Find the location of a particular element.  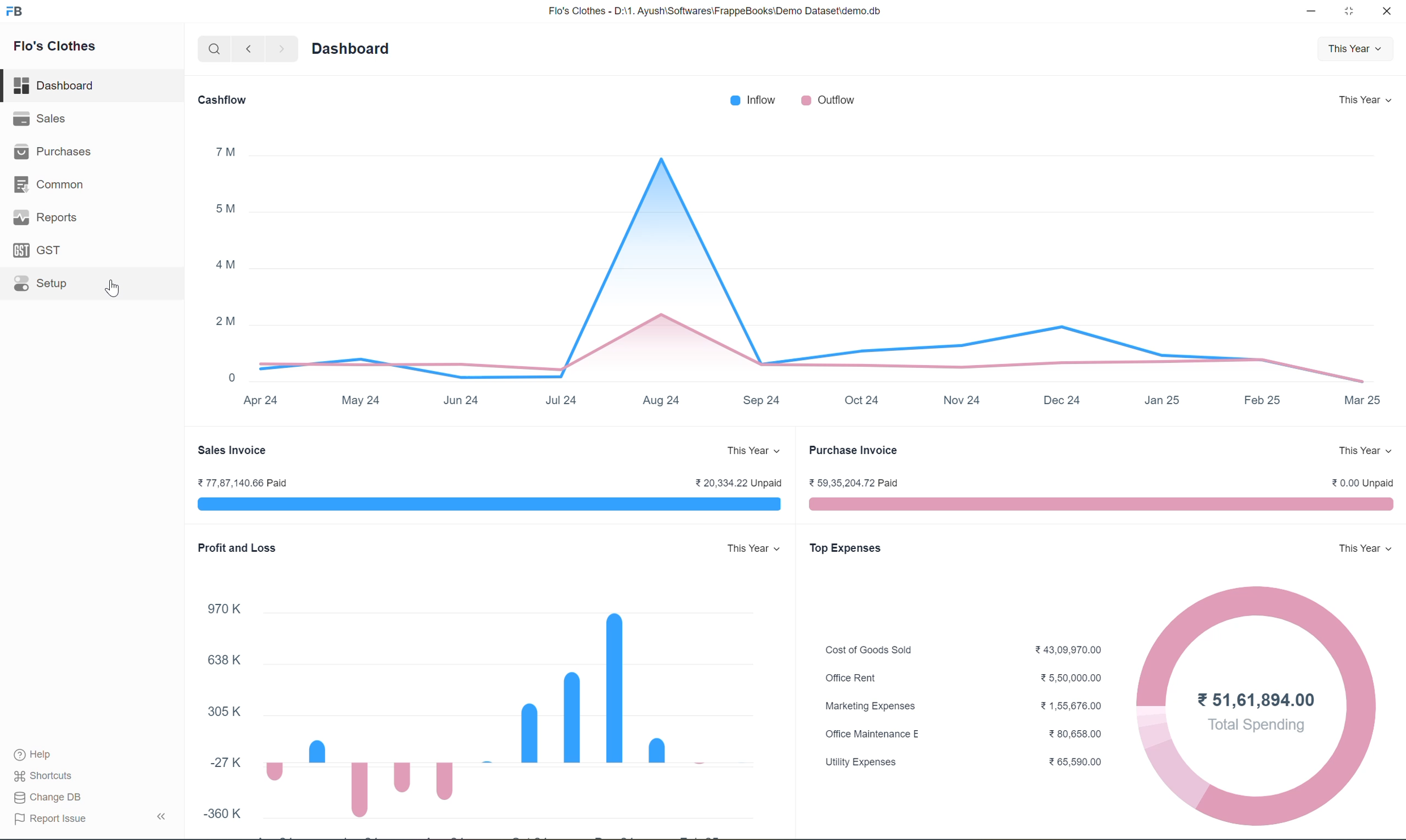

Dashboard is located at coordinates (55, 87).